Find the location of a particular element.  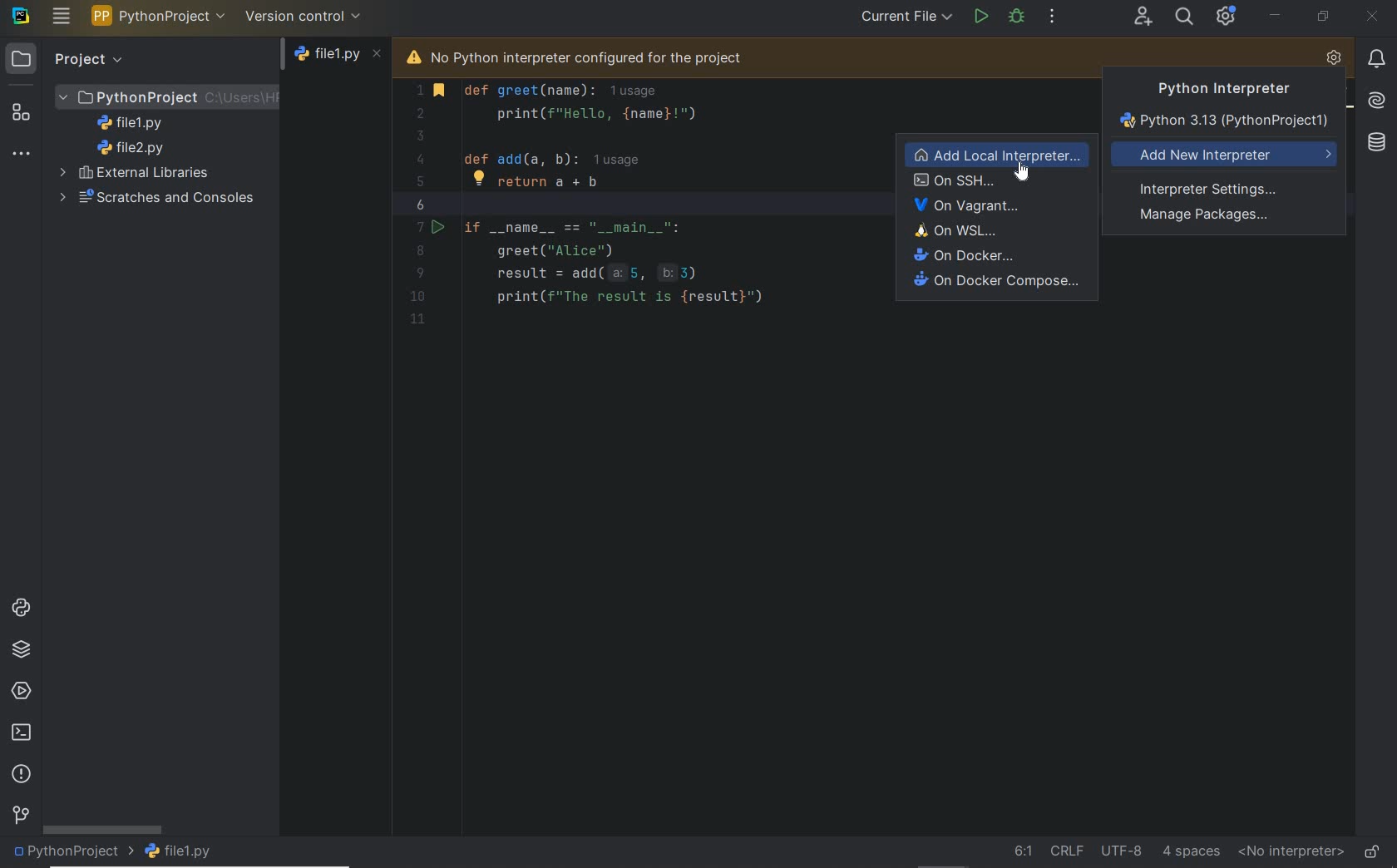

external libraries is located at coordinates (138, 172).